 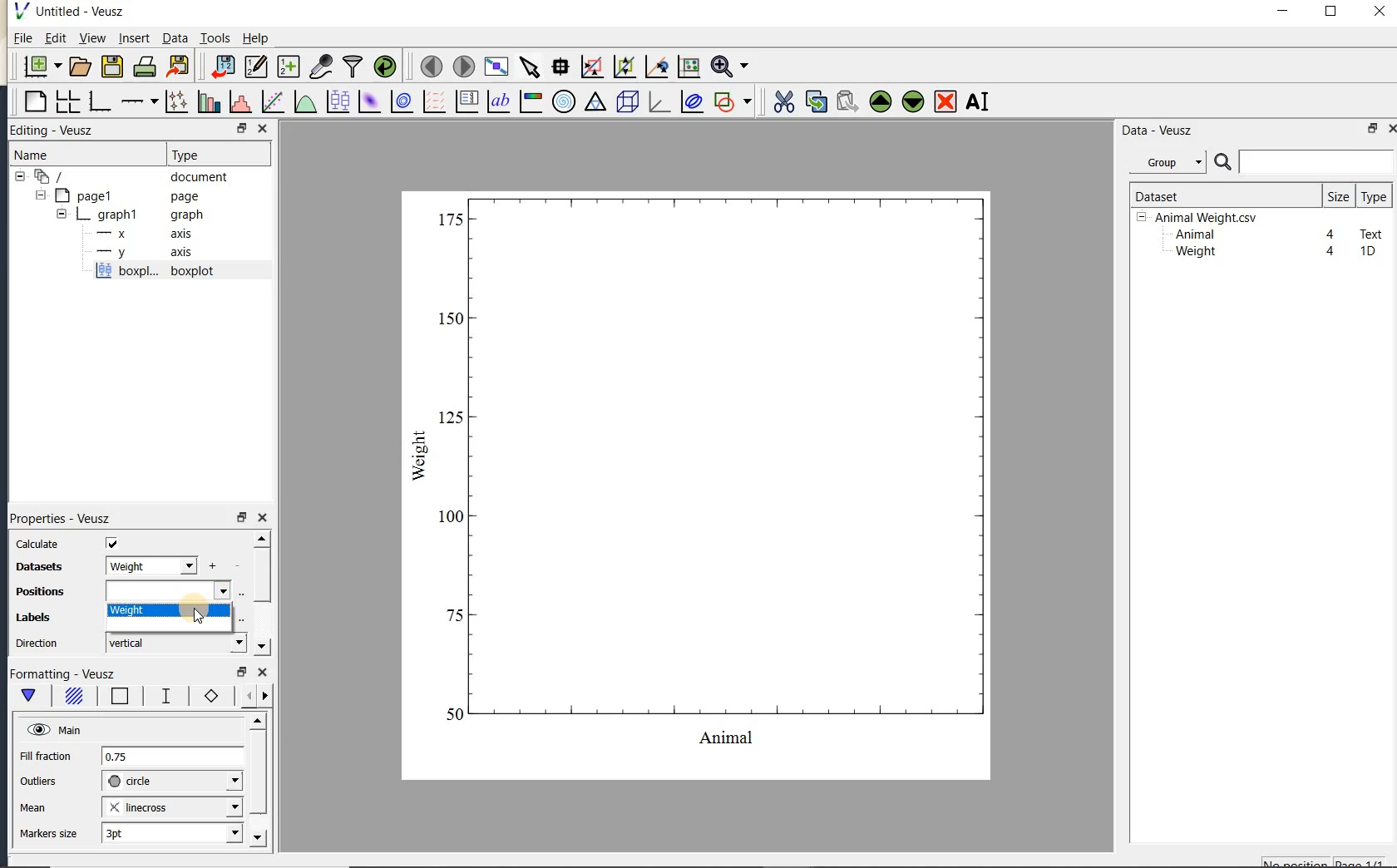 What do you see at coordinates (52, 40) in the screenshot?
I see `Edit` at bounding box center [52, 40].